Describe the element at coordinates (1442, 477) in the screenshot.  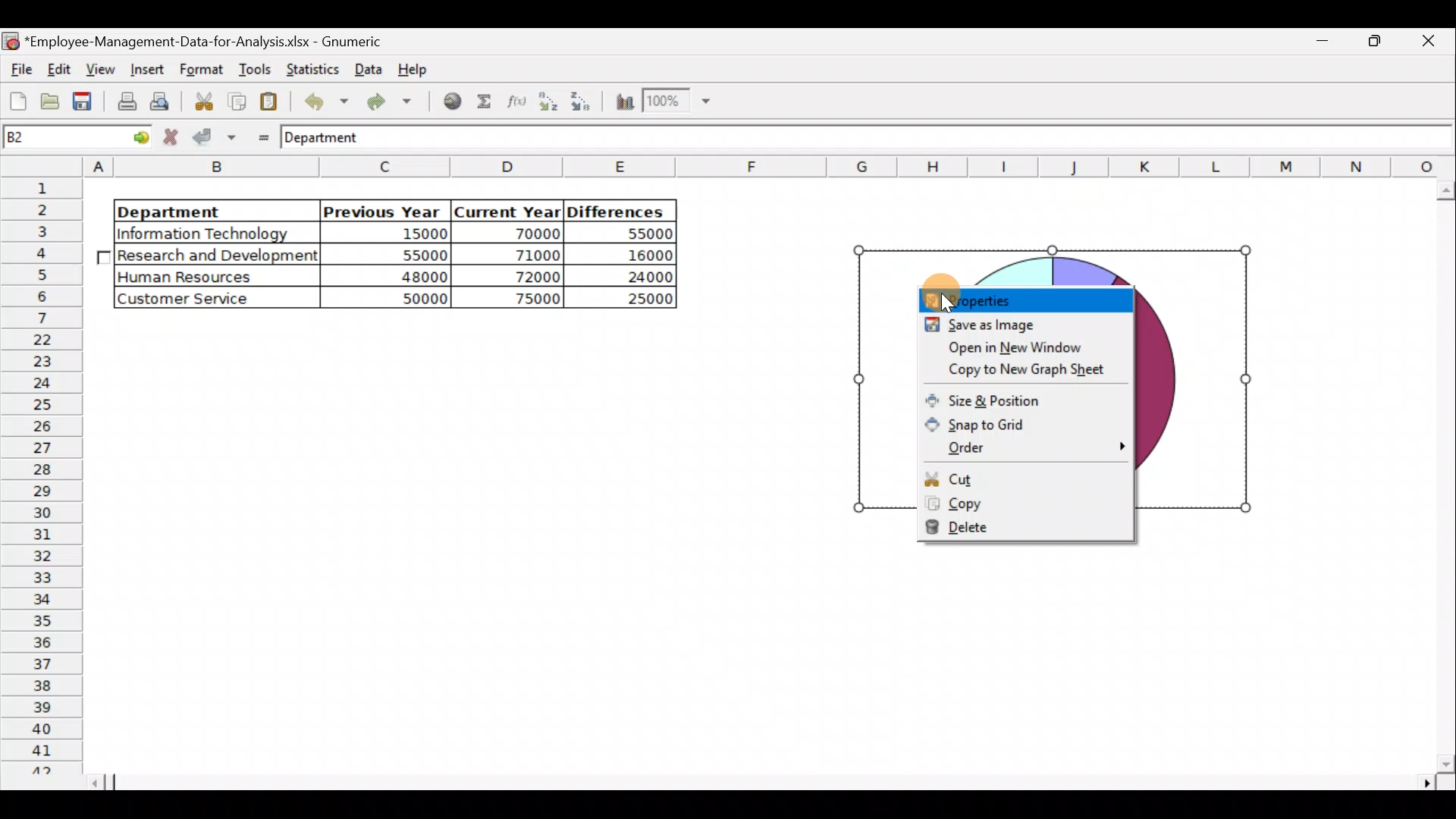
I see `Scroll bar` at that location.